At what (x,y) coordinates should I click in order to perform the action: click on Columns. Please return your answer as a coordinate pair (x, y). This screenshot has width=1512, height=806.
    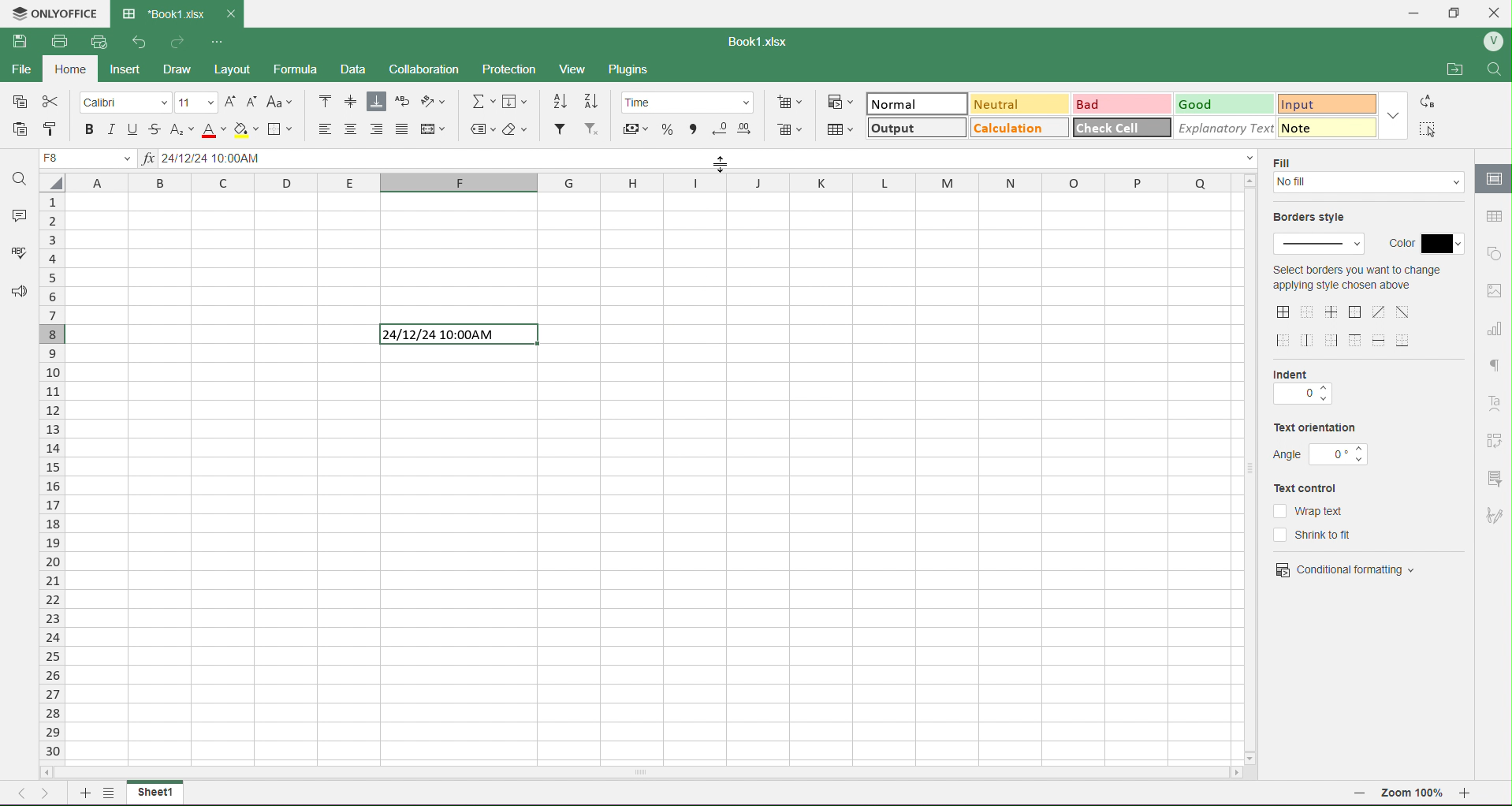
    Looking at the image, I should click on (650, 185).